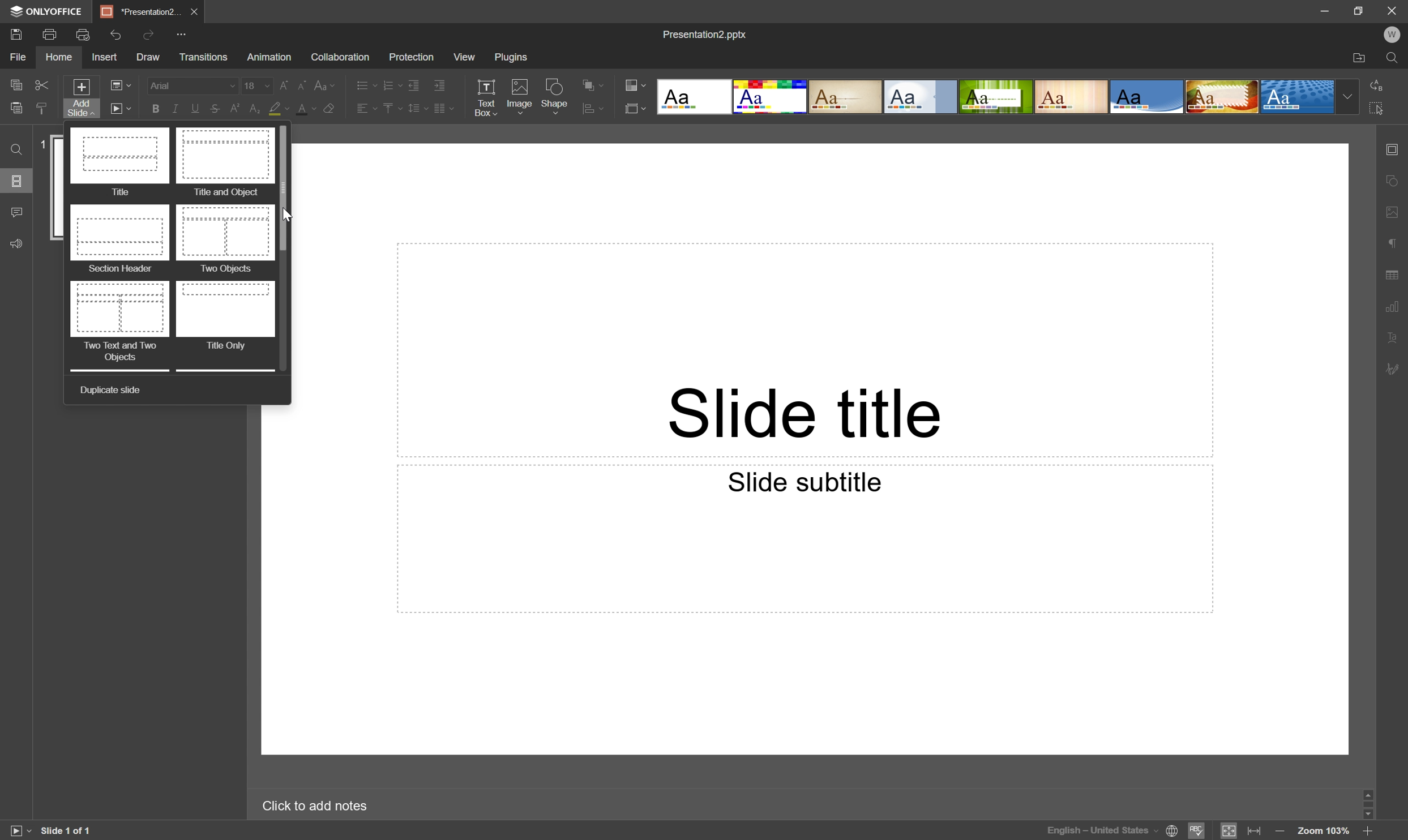 Image resolution: width=1408 pixels, height=840 pixels. Describe the element at coordinates (43, 144) in the screenshot. I see `1` at that location.